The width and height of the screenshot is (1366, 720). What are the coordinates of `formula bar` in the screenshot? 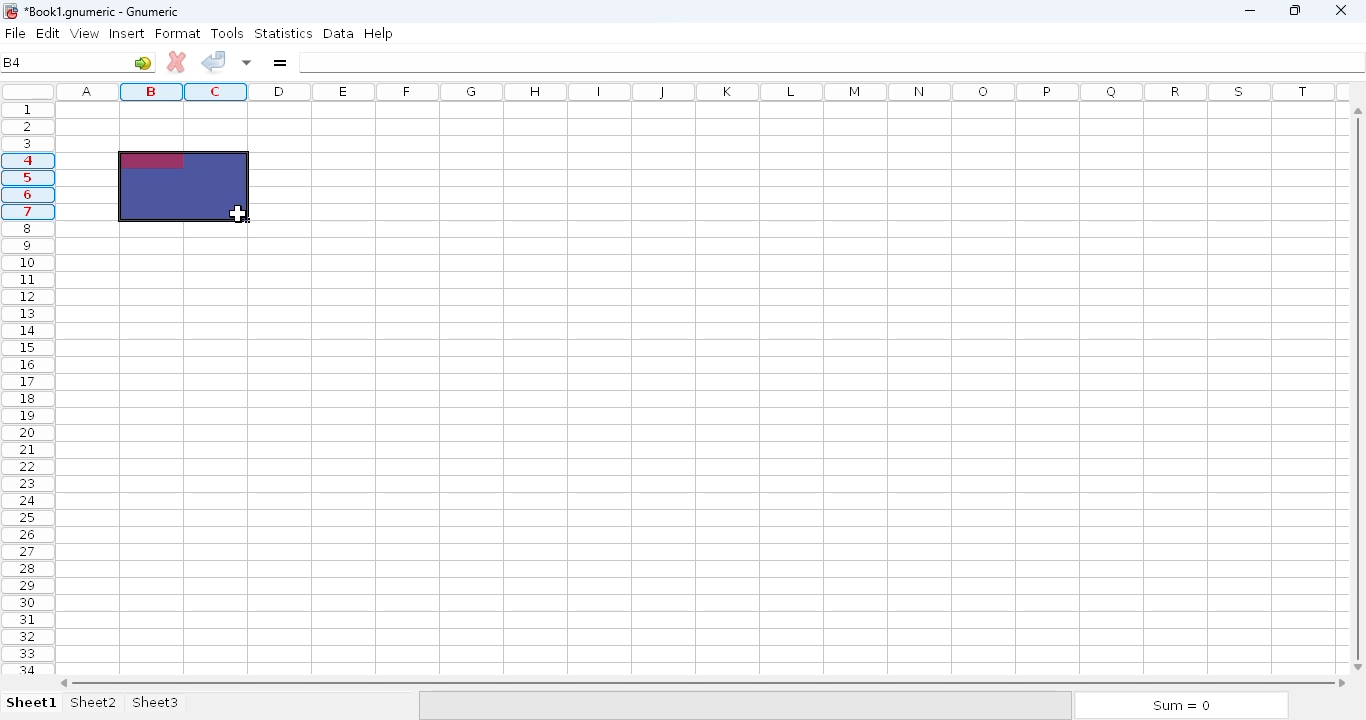 It's located at (832, 61).